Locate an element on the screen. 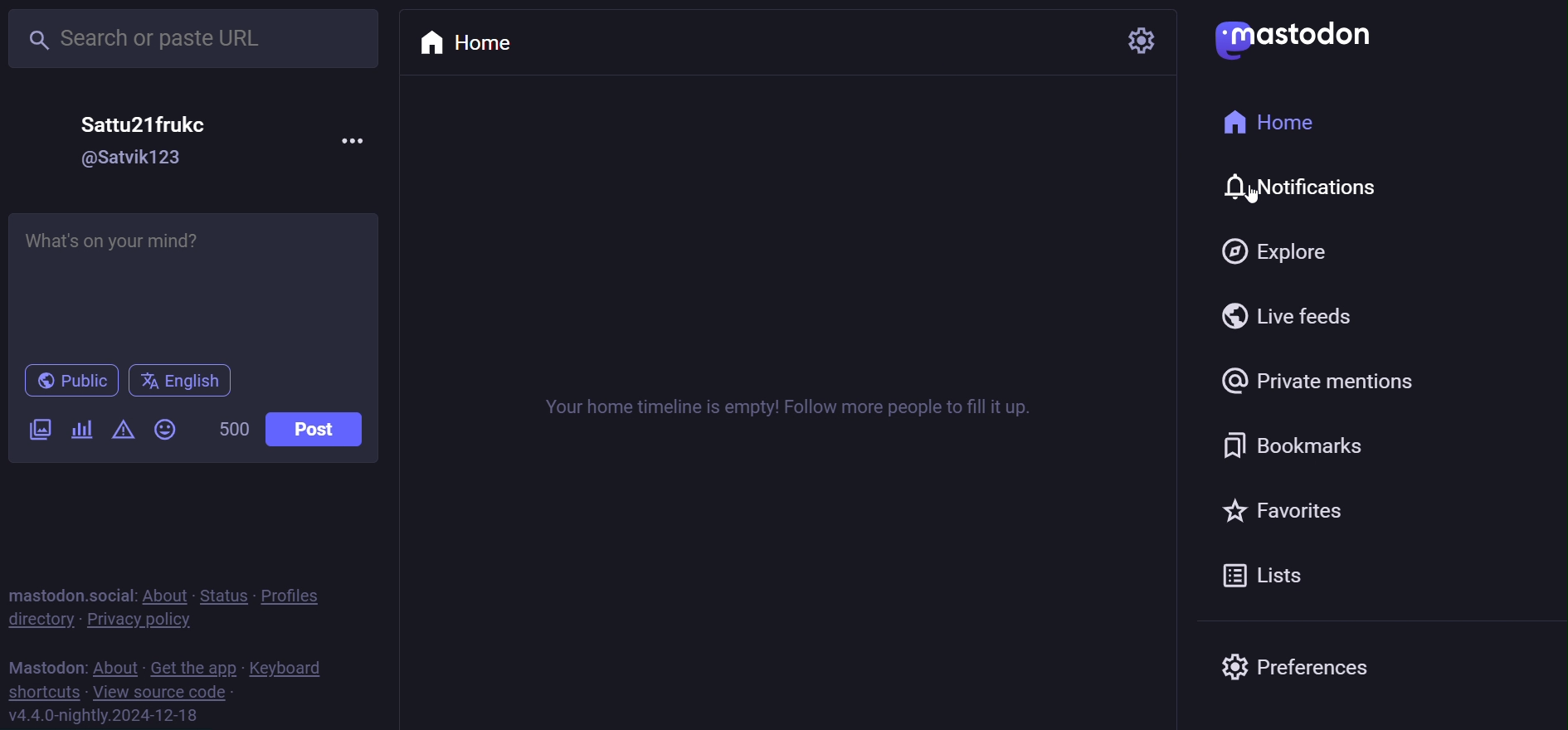 The width and height of the screenshot is (1568, 730). Sattu21frukc is located at coordinates (144, 123).